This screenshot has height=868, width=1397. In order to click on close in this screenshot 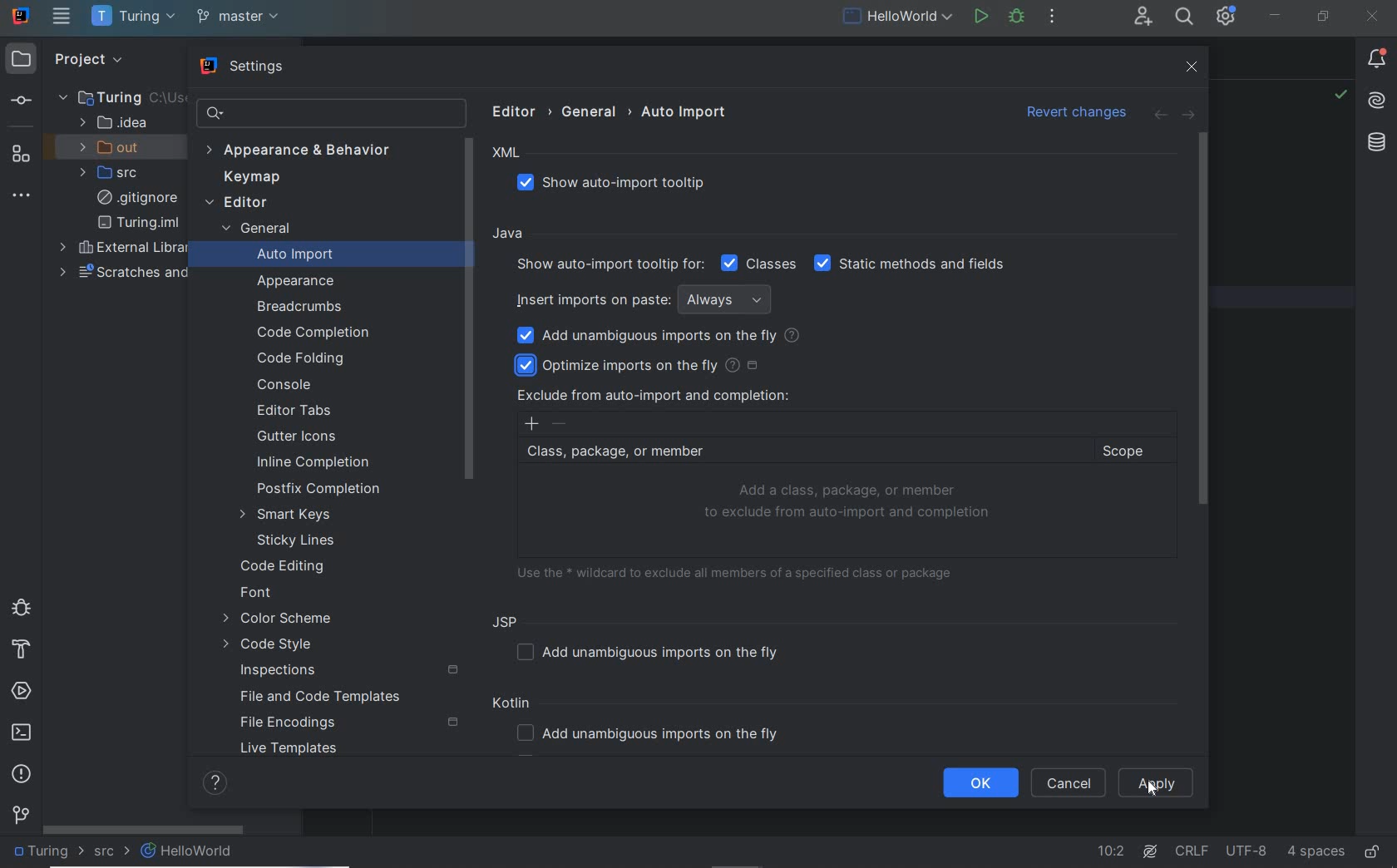, I will do `click(1194, 67)`.